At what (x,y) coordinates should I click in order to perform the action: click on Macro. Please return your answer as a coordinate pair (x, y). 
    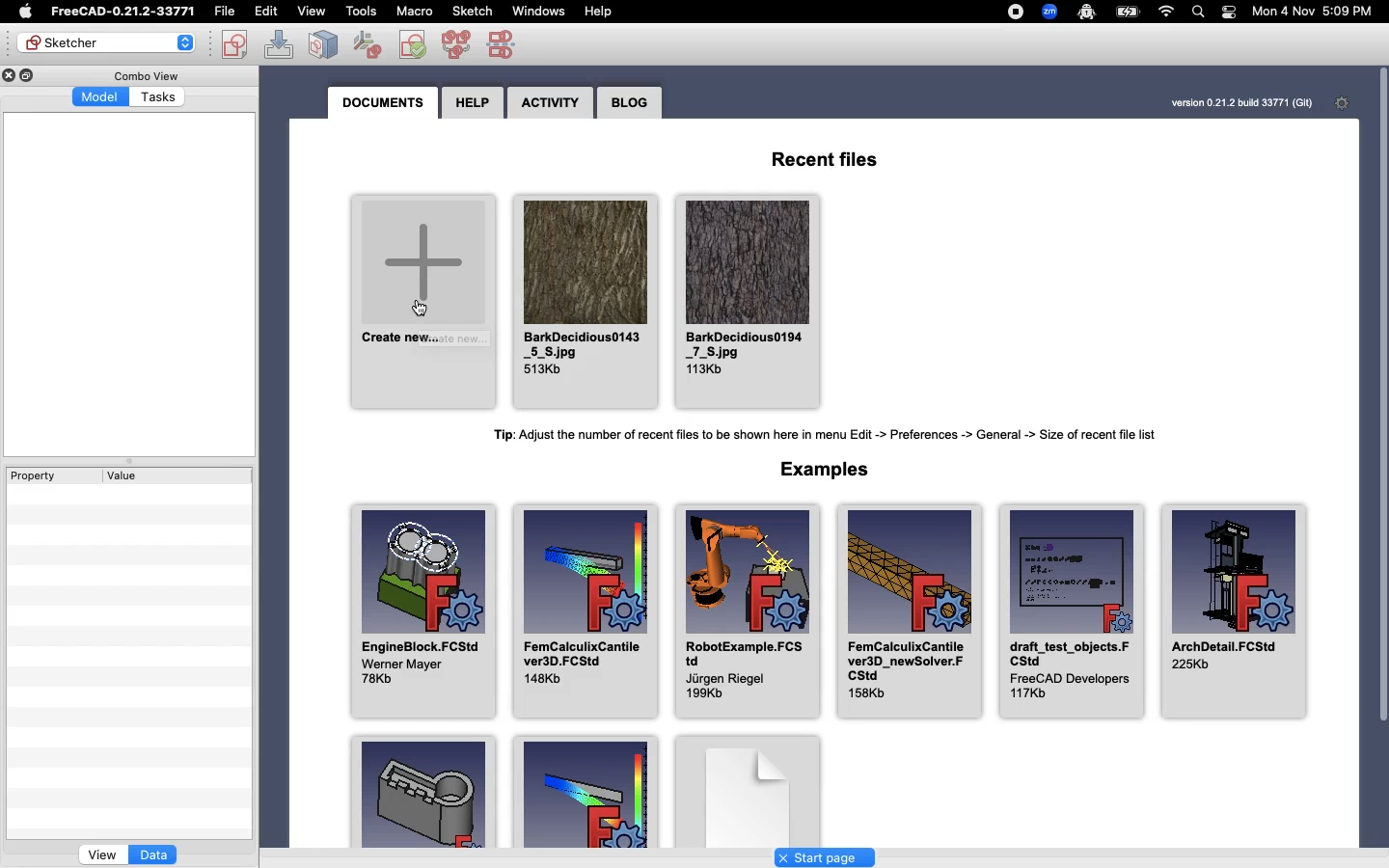
    Looking at the image, I should click on (413, 10).